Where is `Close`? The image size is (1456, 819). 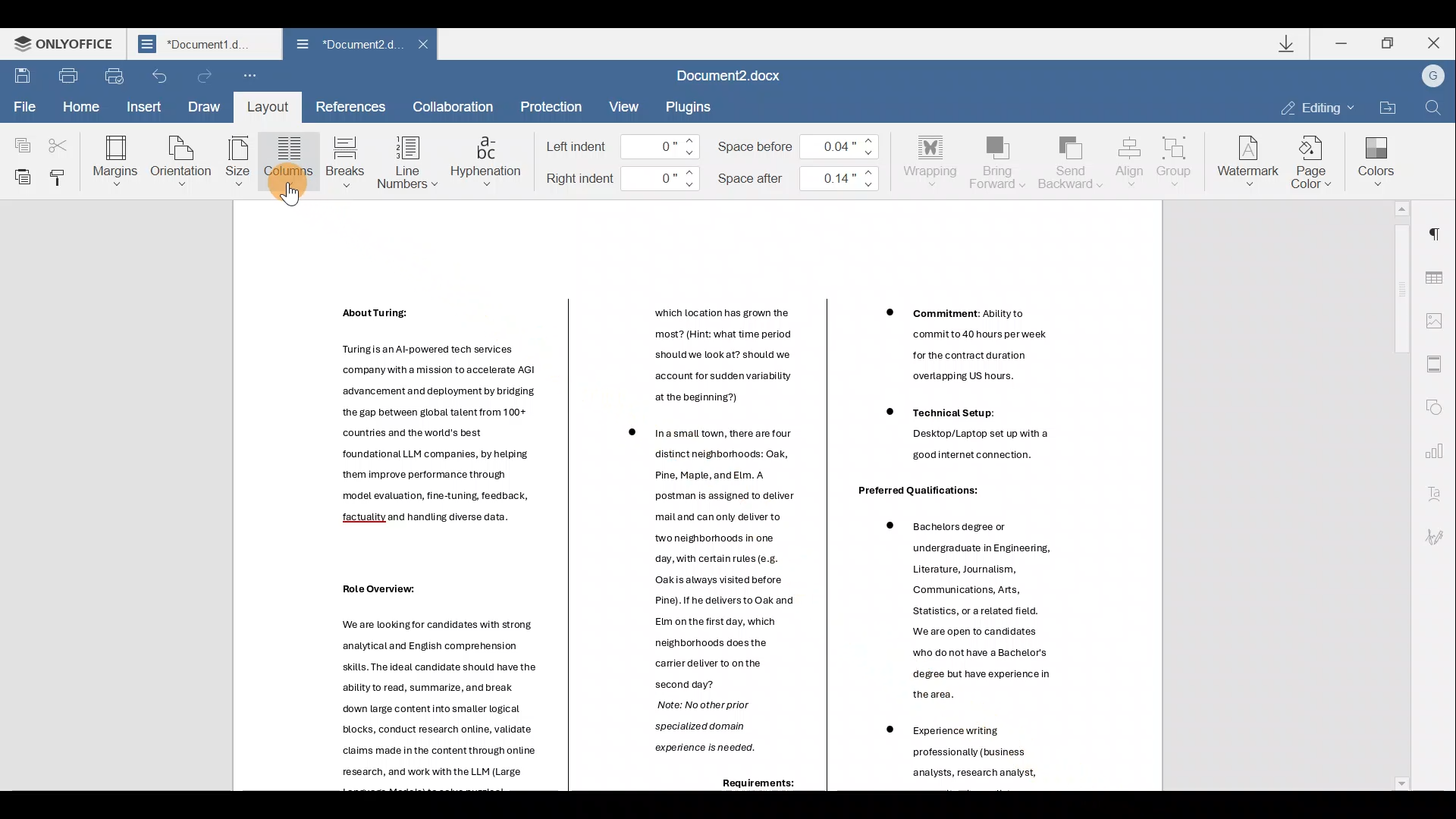
Close is located at coordinates (428, 46).